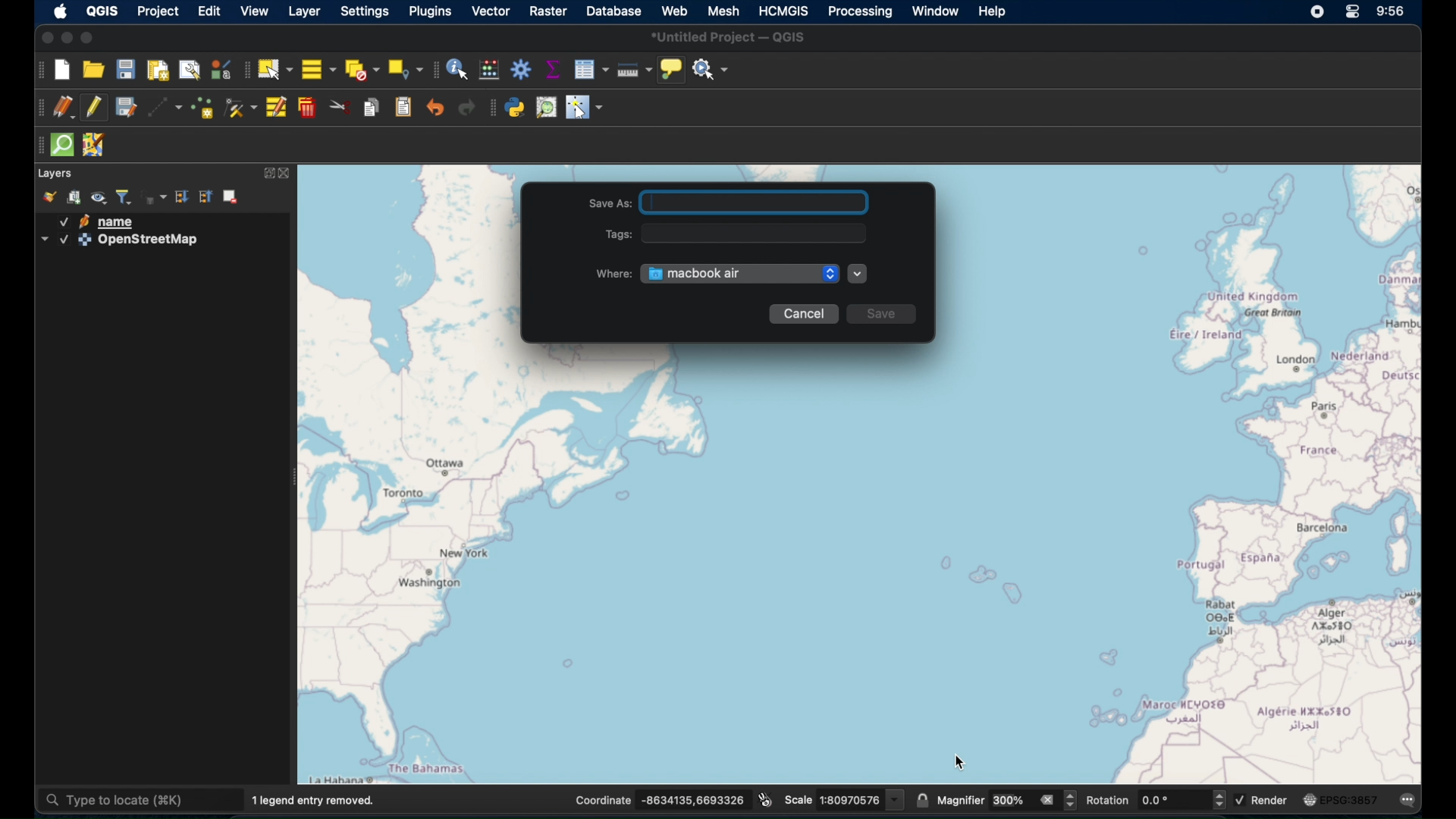 This screenshot has height=819, width=1456. I want to click on database, so click(613, 11).